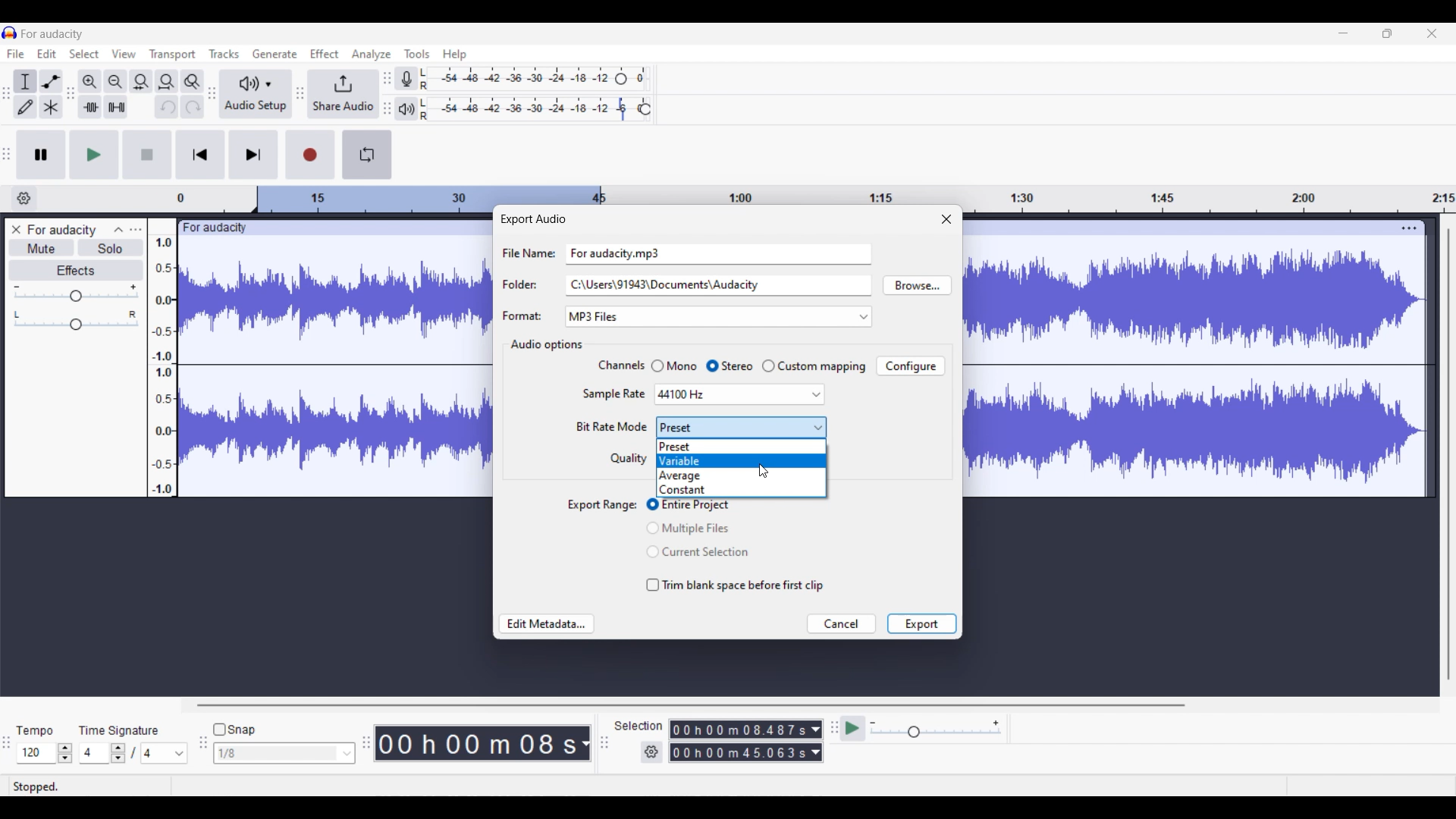  What do you see at coordinates (1409, 227) in the screenshot?
I see `Track settings` at bounding box center [1409, 227].